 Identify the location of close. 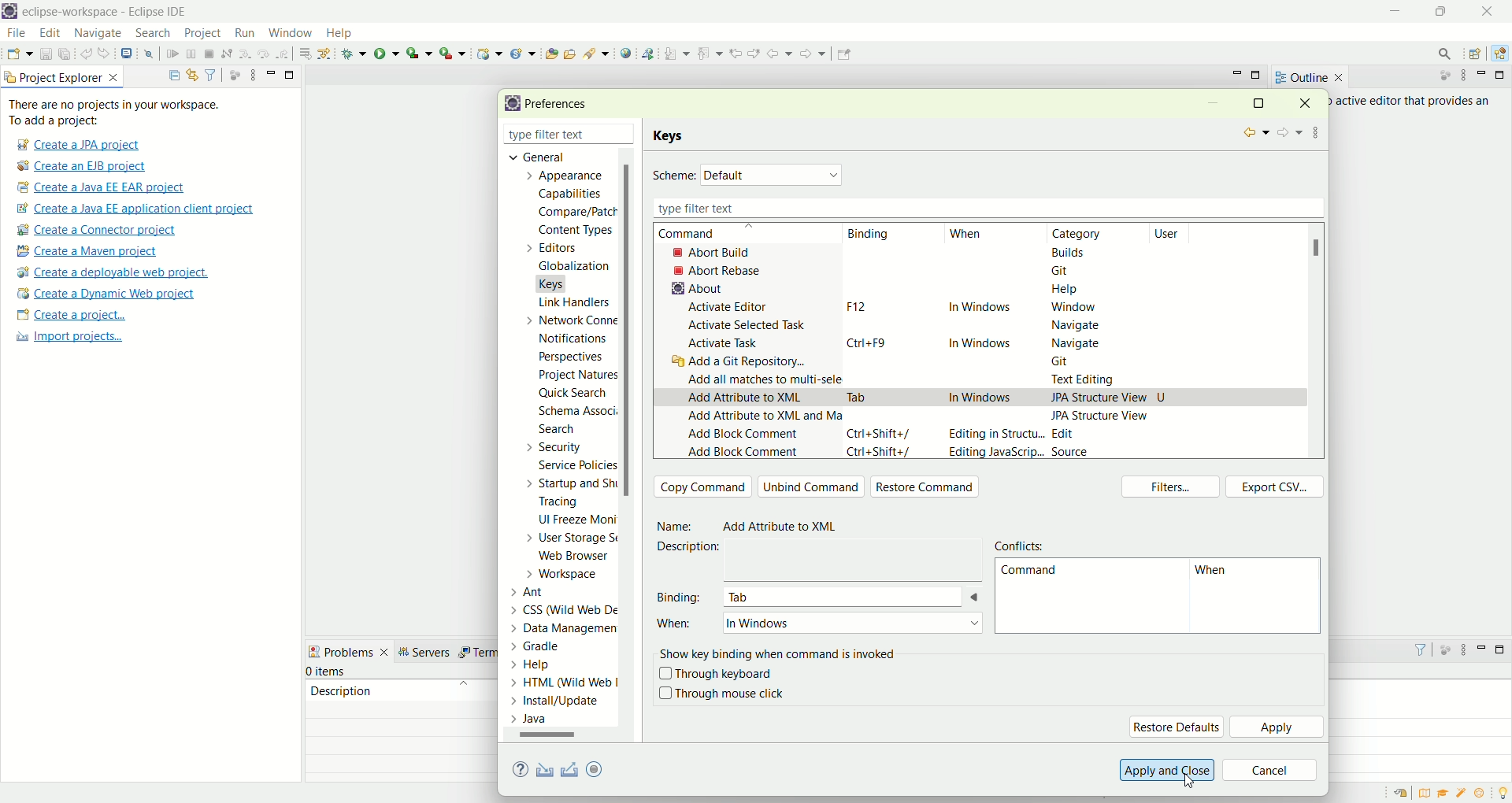
(1492, 11).